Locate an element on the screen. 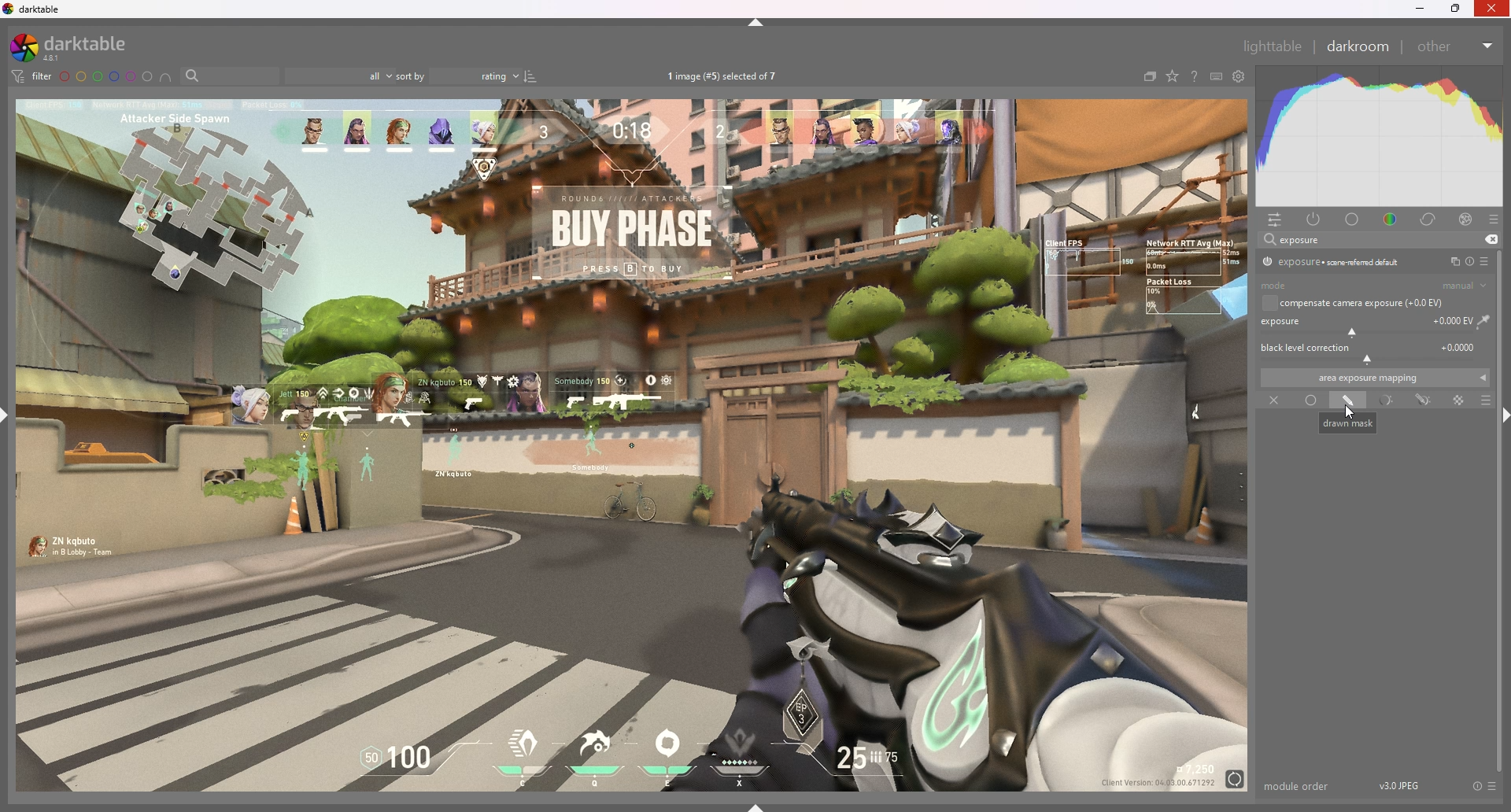 Image resolution: width=1511 pixels, height=812 pixels. exposure is located at coordinates (1300, 239).